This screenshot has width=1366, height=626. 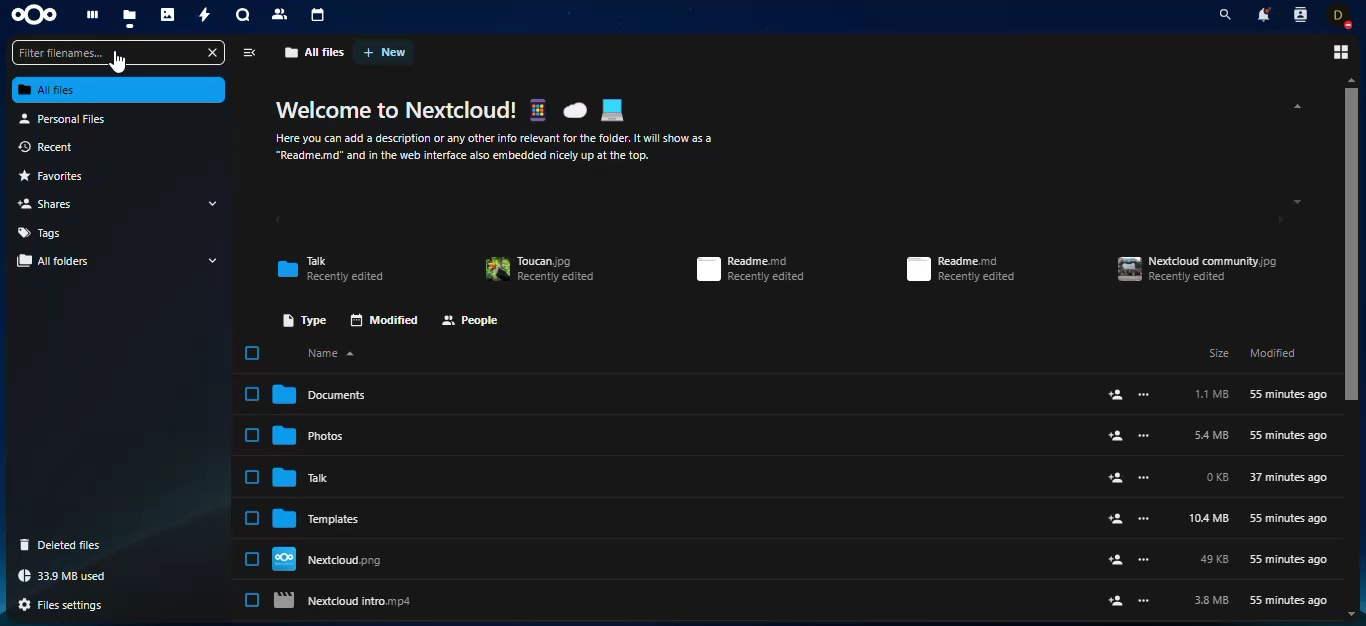 I want to click on Talk Recently edited, so click(x=330, y=269).